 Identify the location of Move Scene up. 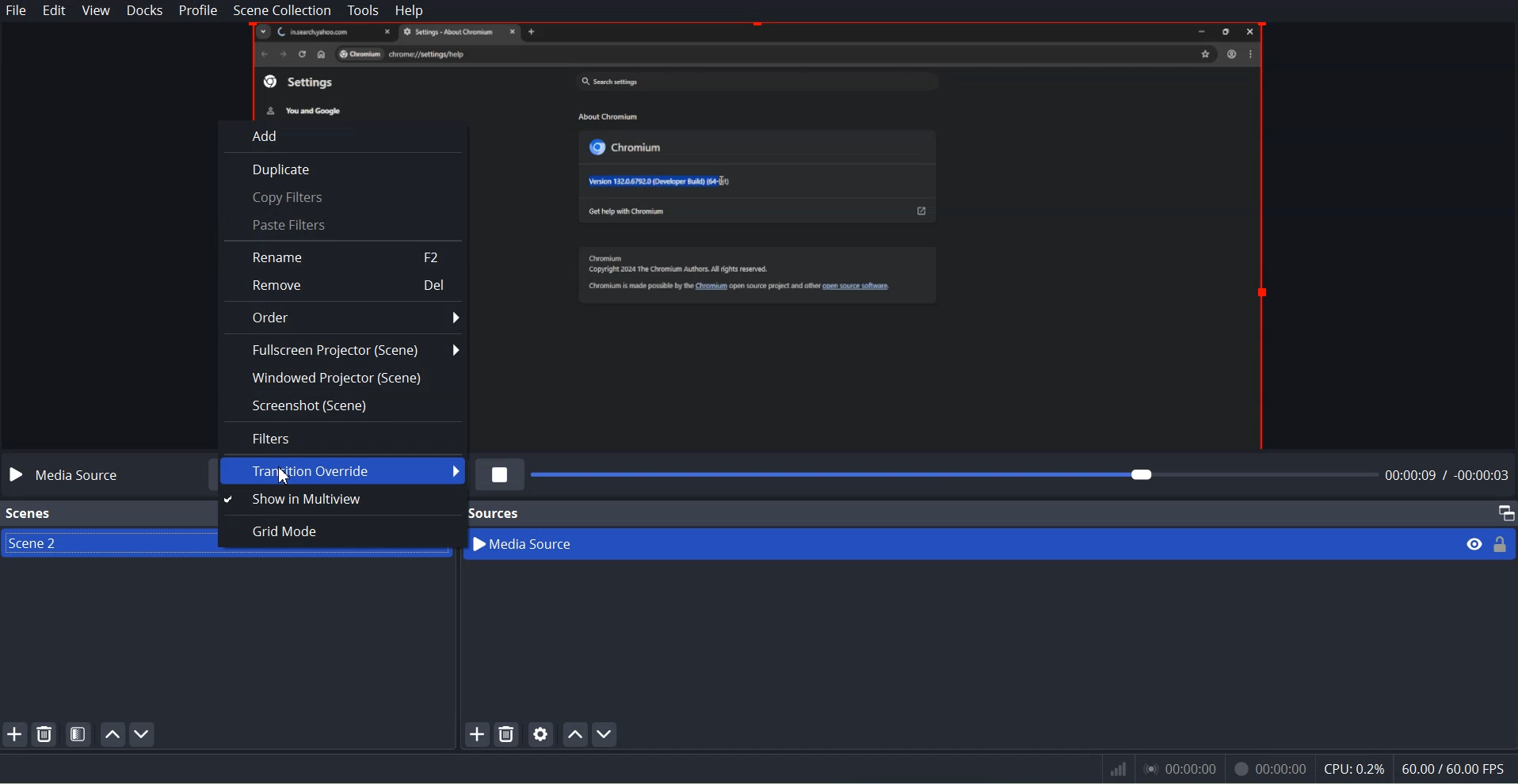
(111, 734).